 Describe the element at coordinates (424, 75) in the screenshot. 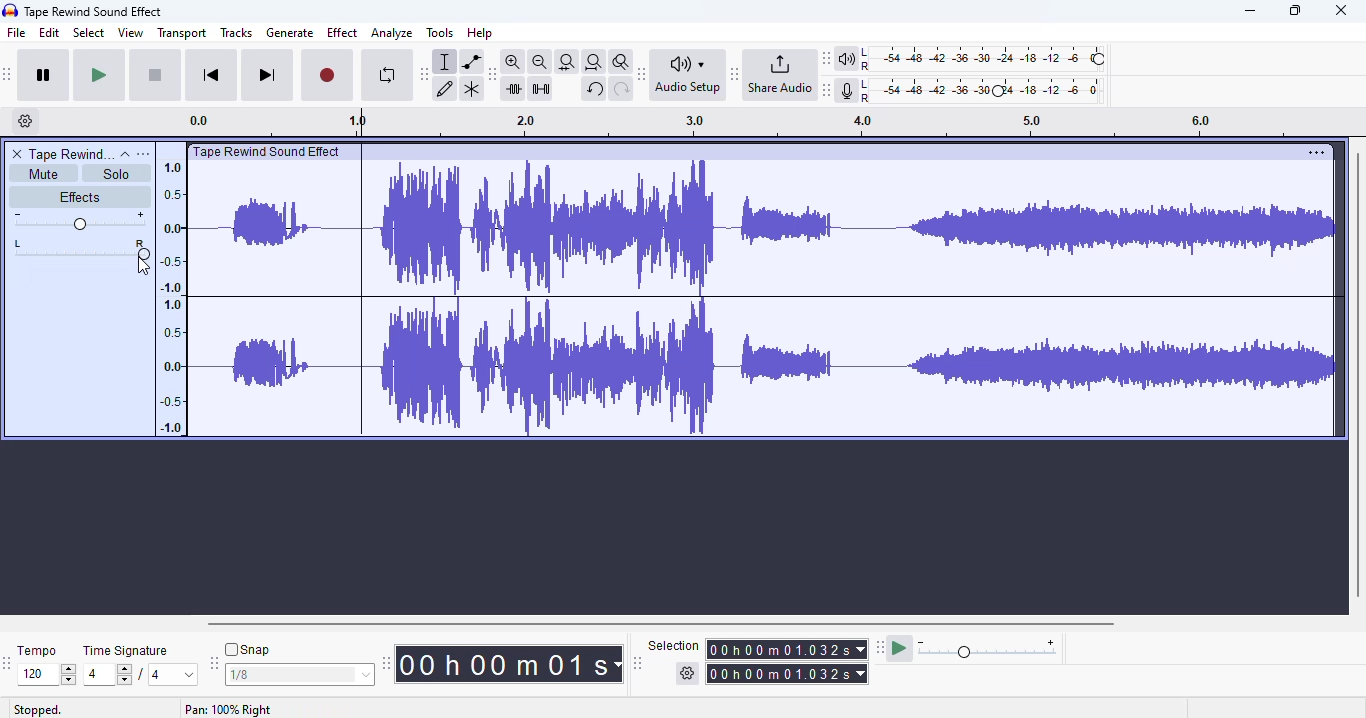

I see `audacity tools toolbar` at that location.